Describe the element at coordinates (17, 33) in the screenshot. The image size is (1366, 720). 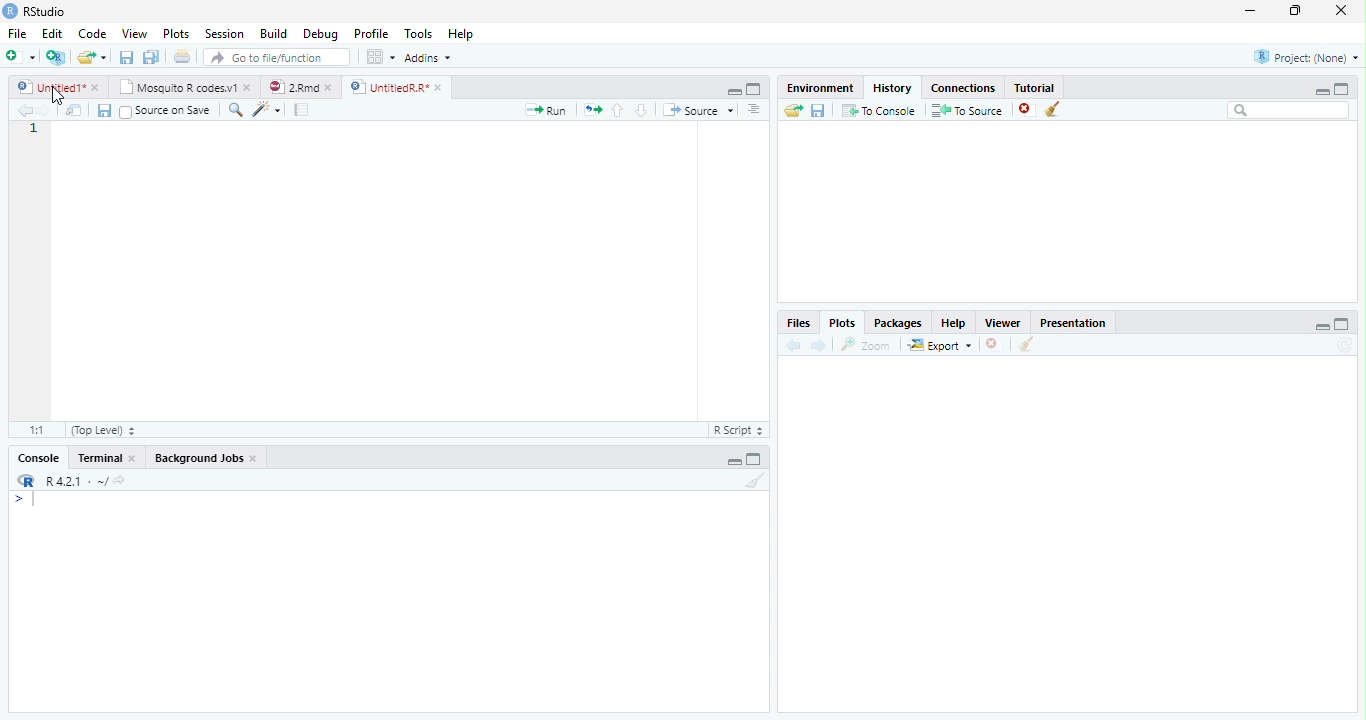
I see `File` at that location.